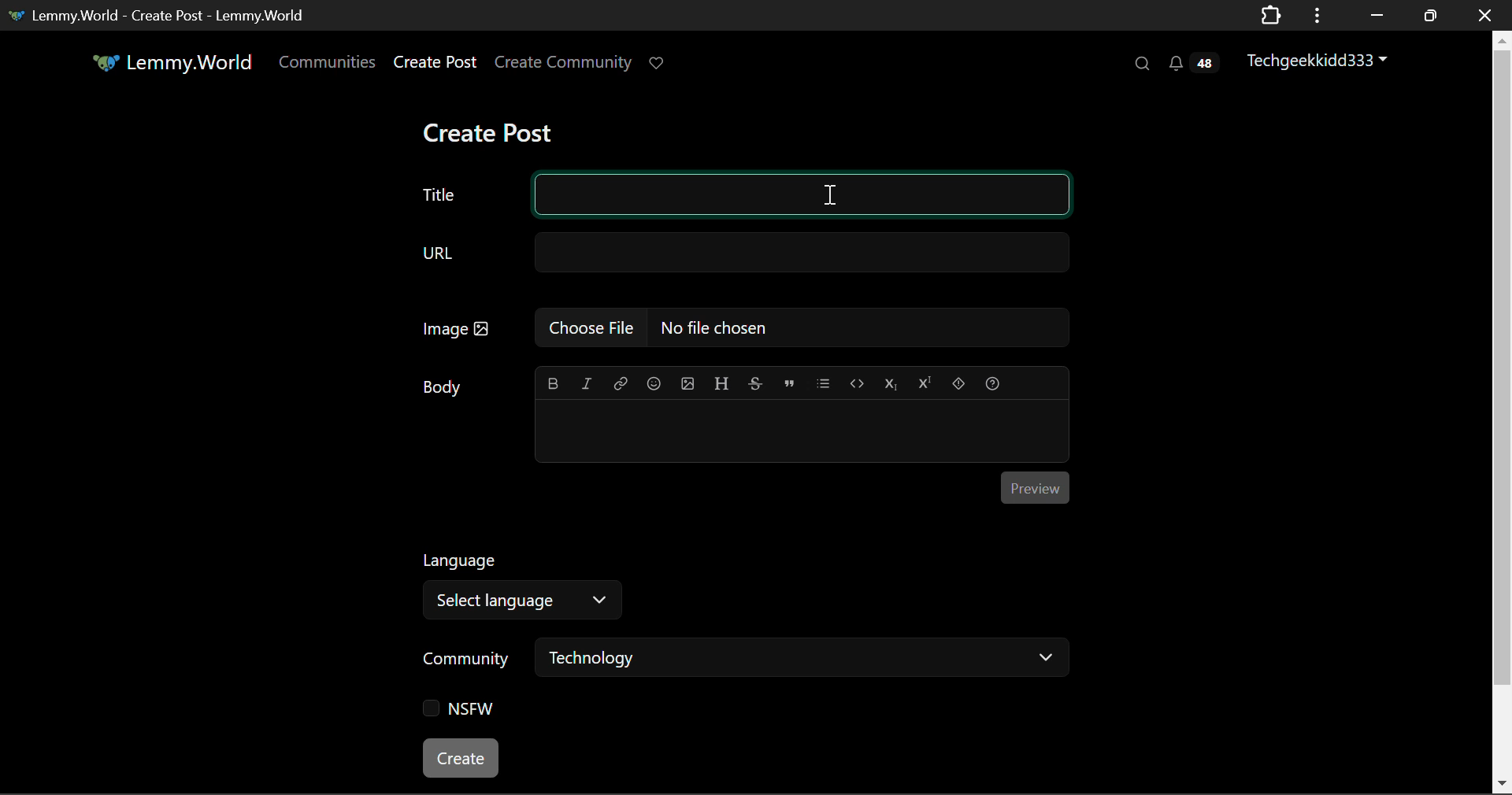  Describe the element at coordinates (587, 383) in the screenshot. I see `italic` at that location.